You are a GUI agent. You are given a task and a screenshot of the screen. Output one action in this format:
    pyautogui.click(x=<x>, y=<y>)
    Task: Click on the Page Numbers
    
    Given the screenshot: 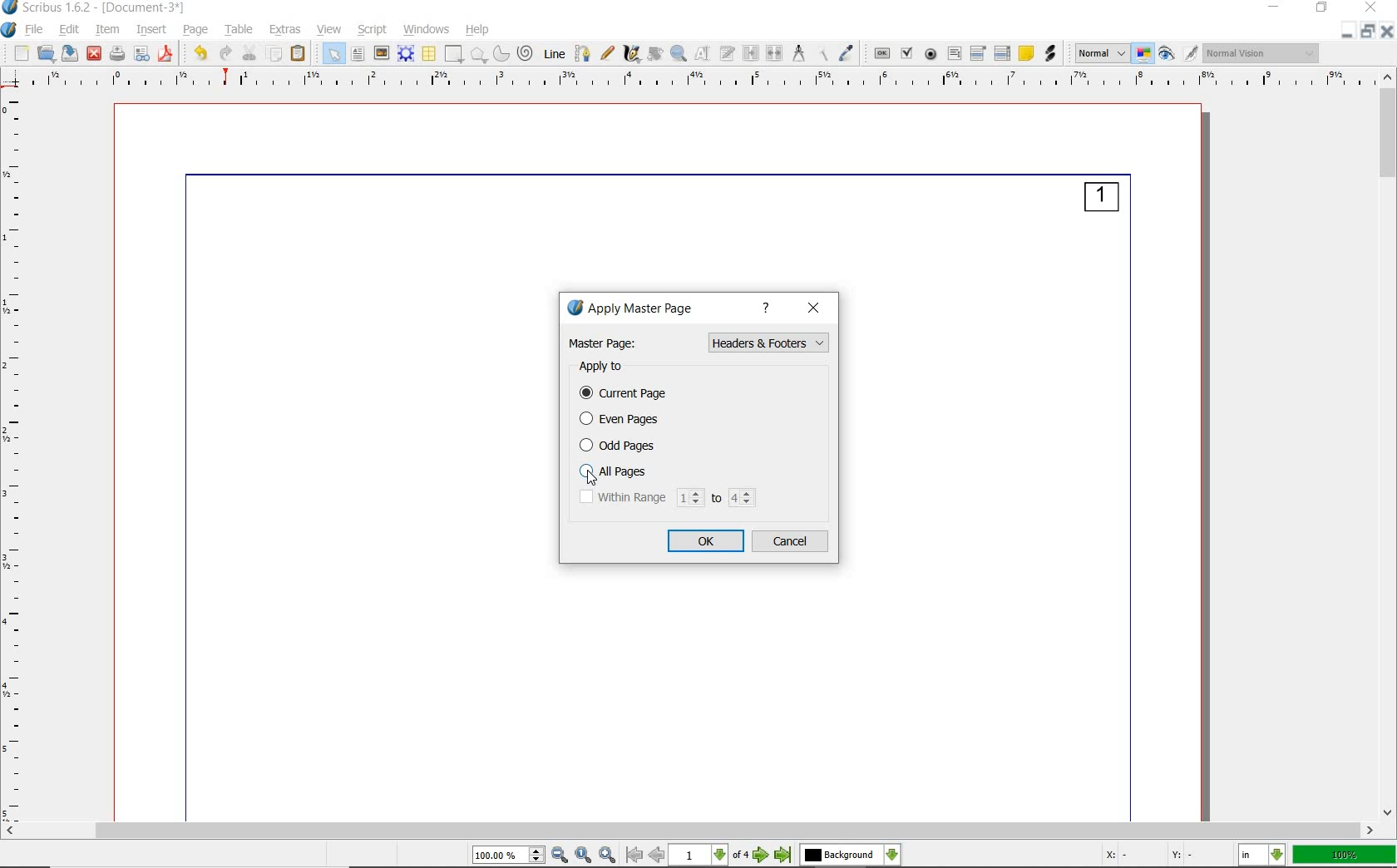 What is the action you would take?
    pyautogui.click(x=768, y=341)
    